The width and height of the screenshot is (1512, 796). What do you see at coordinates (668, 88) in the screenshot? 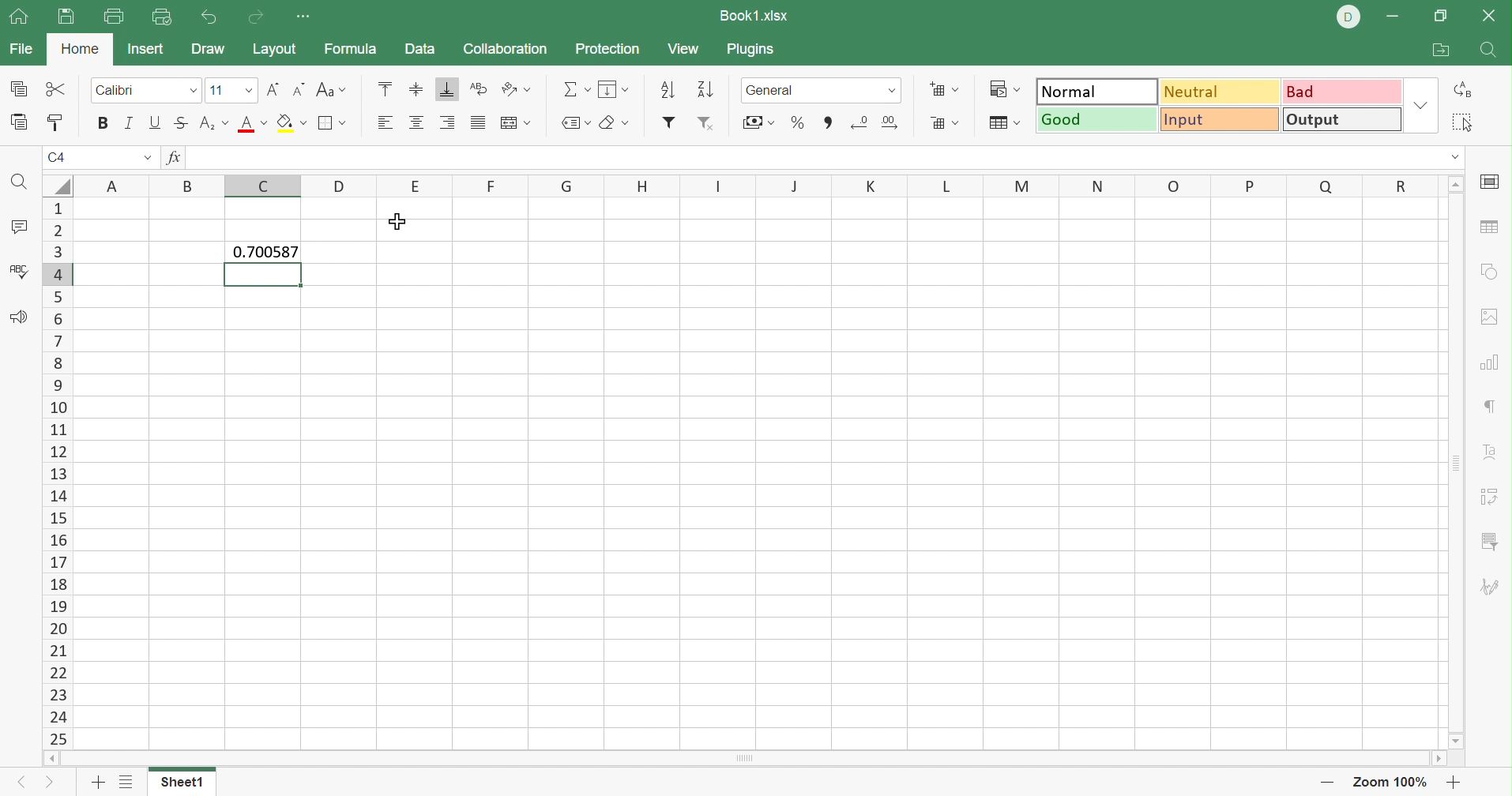
I see `Sort ascending` at bounding box center [668, 88].